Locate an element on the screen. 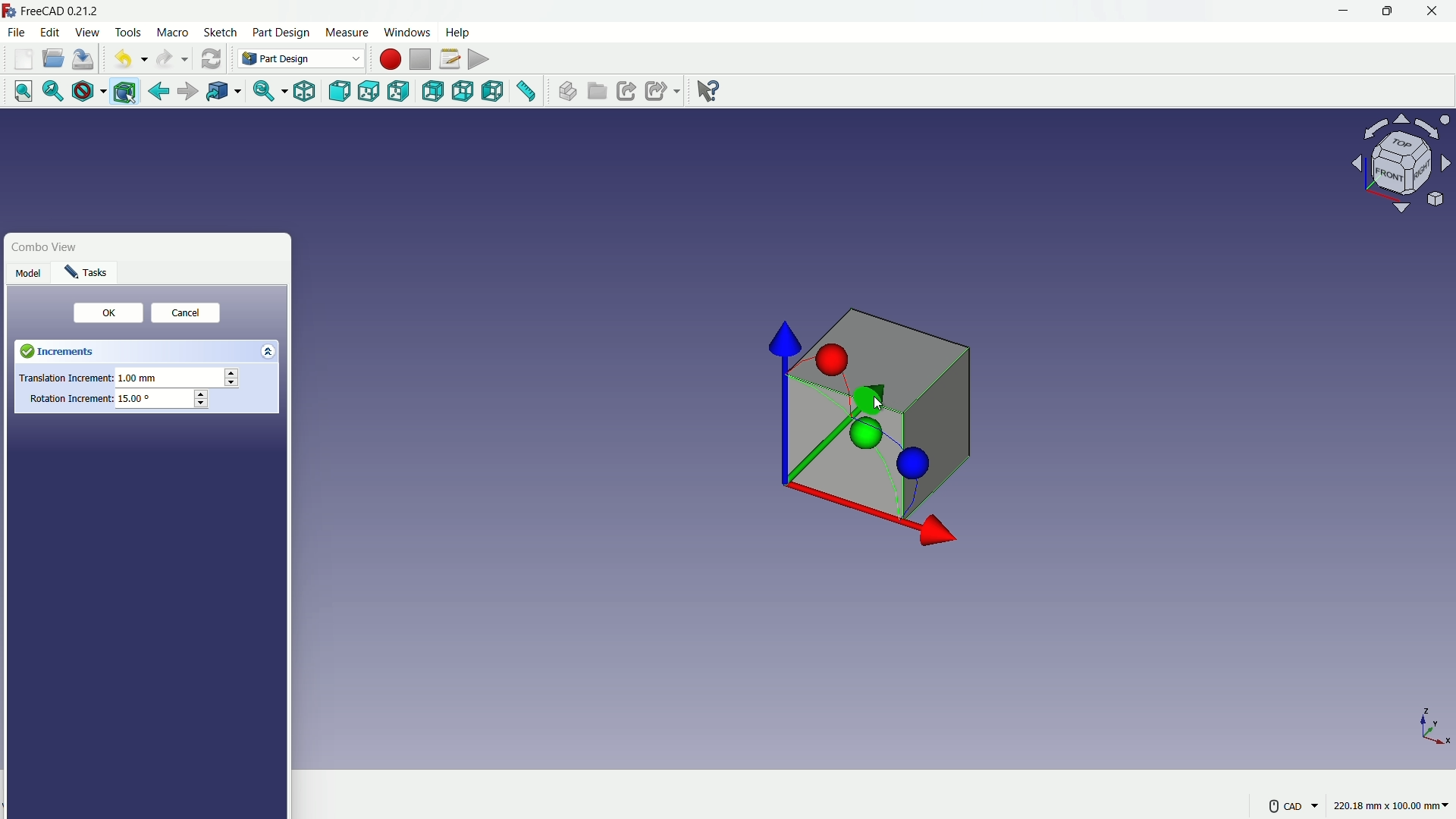 This screenshot has width=1456, height=819. right view is located at coordinates (400, 94).